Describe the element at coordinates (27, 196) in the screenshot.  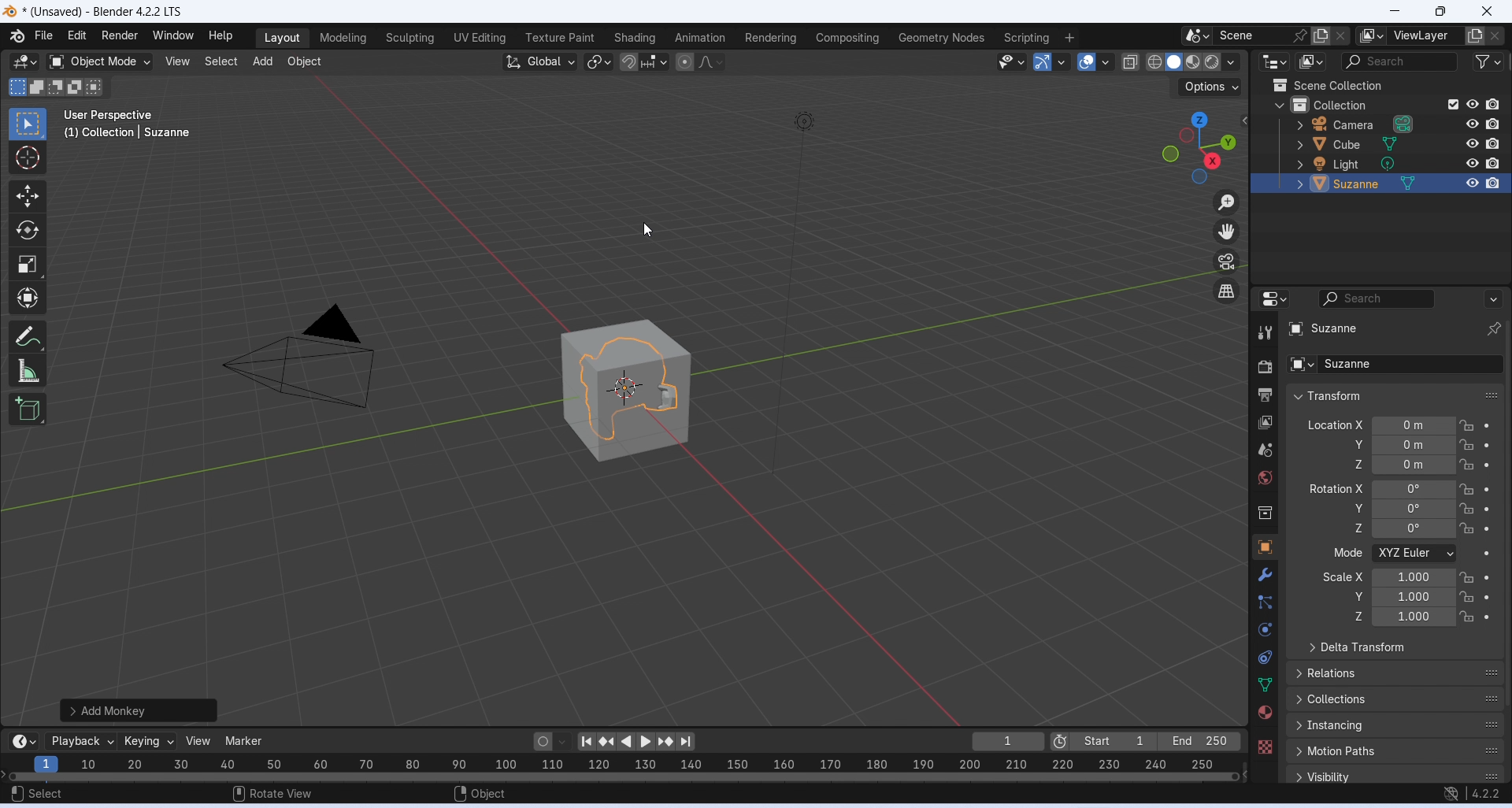
I see `Move` at that location.